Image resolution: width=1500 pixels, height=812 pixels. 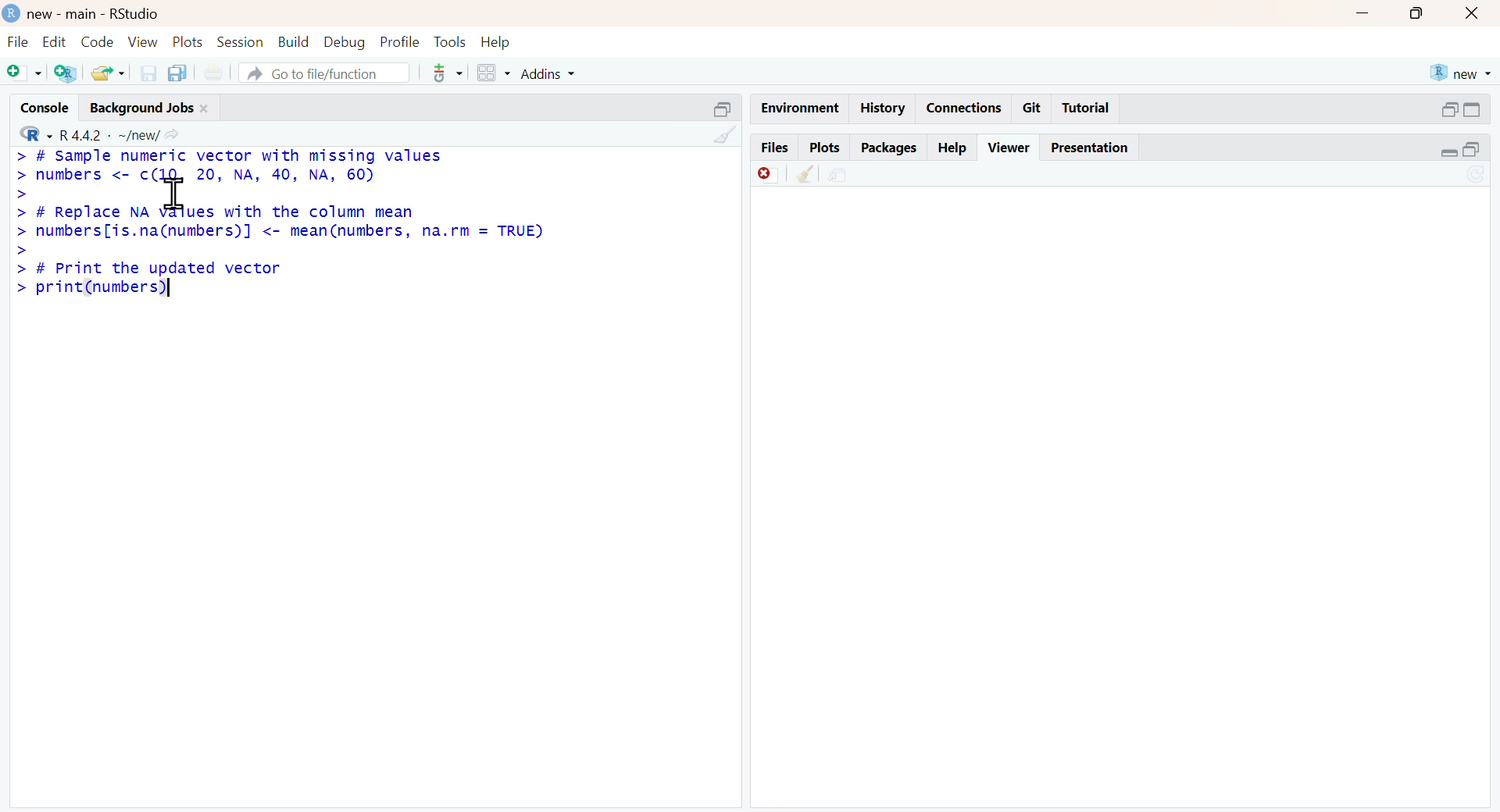 What do you see at coordinates (18, 41) in the screenshot?
I see `file` at bounding box center [18, 41].